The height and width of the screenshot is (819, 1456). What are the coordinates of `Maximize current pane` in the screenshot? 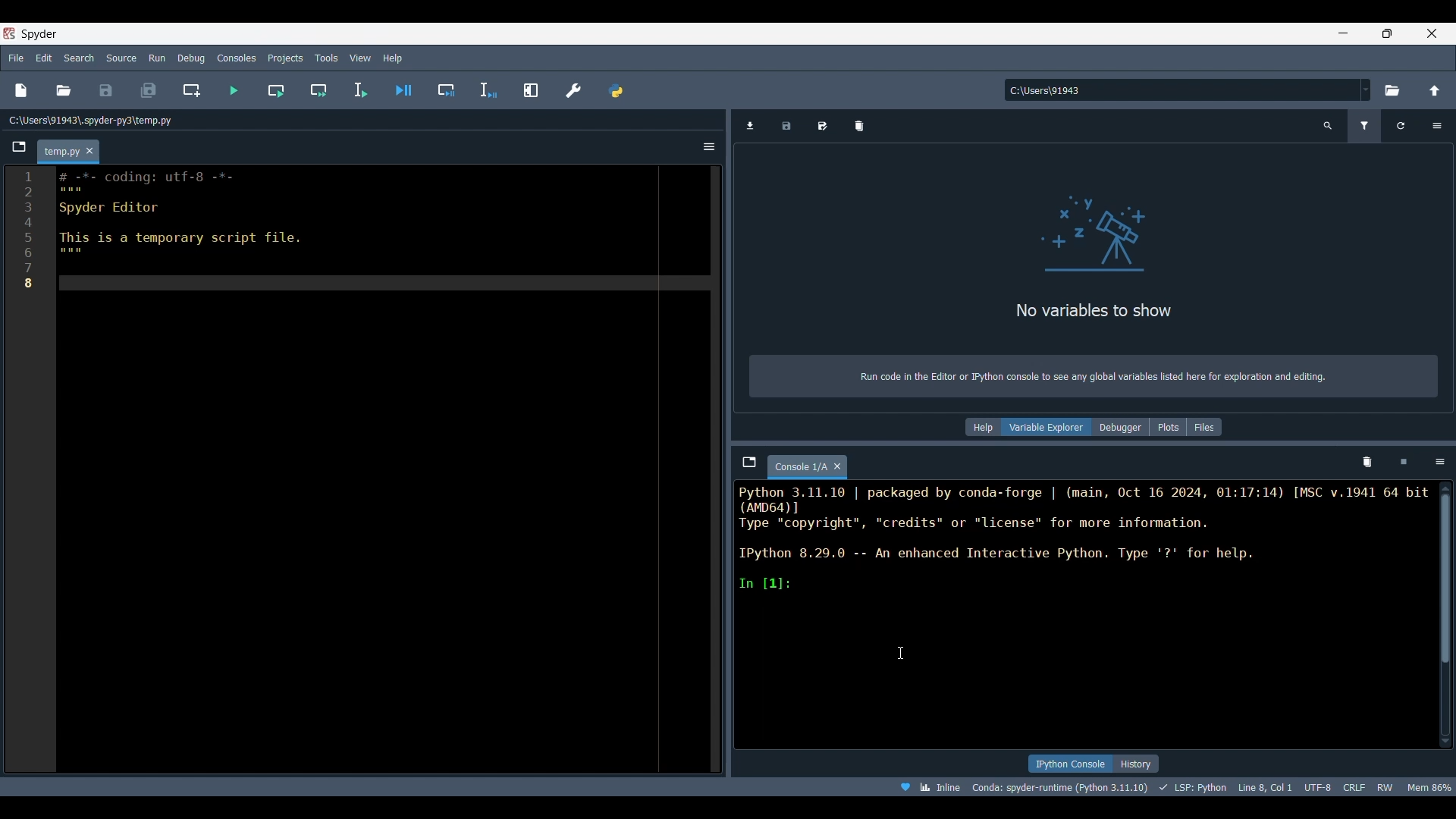 It's located at (531, 89).